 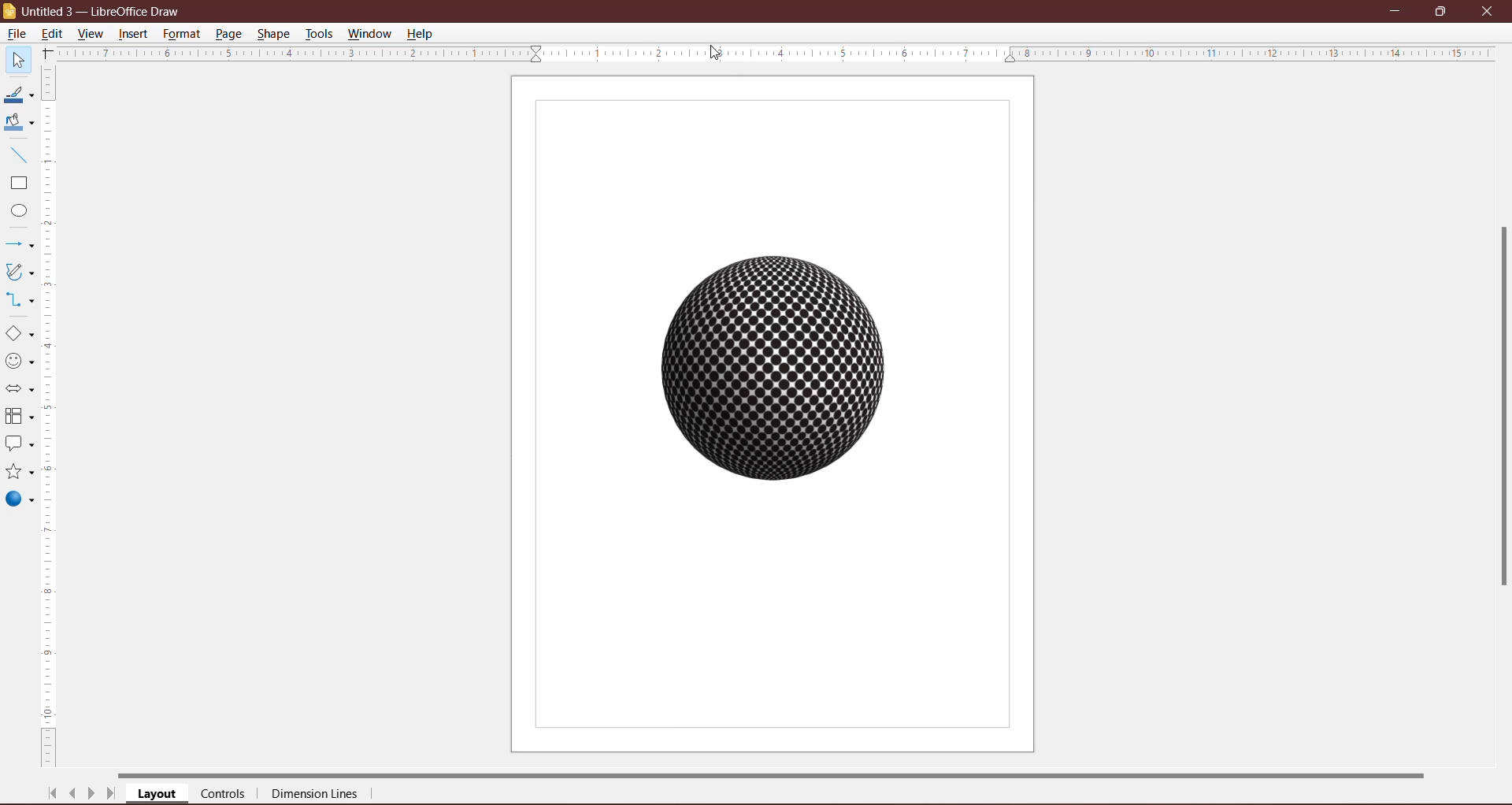 What do you see at coordinates (1498, 406) in the screenshot?
I see `Scrollbar` at bounding box center [1498, 406].